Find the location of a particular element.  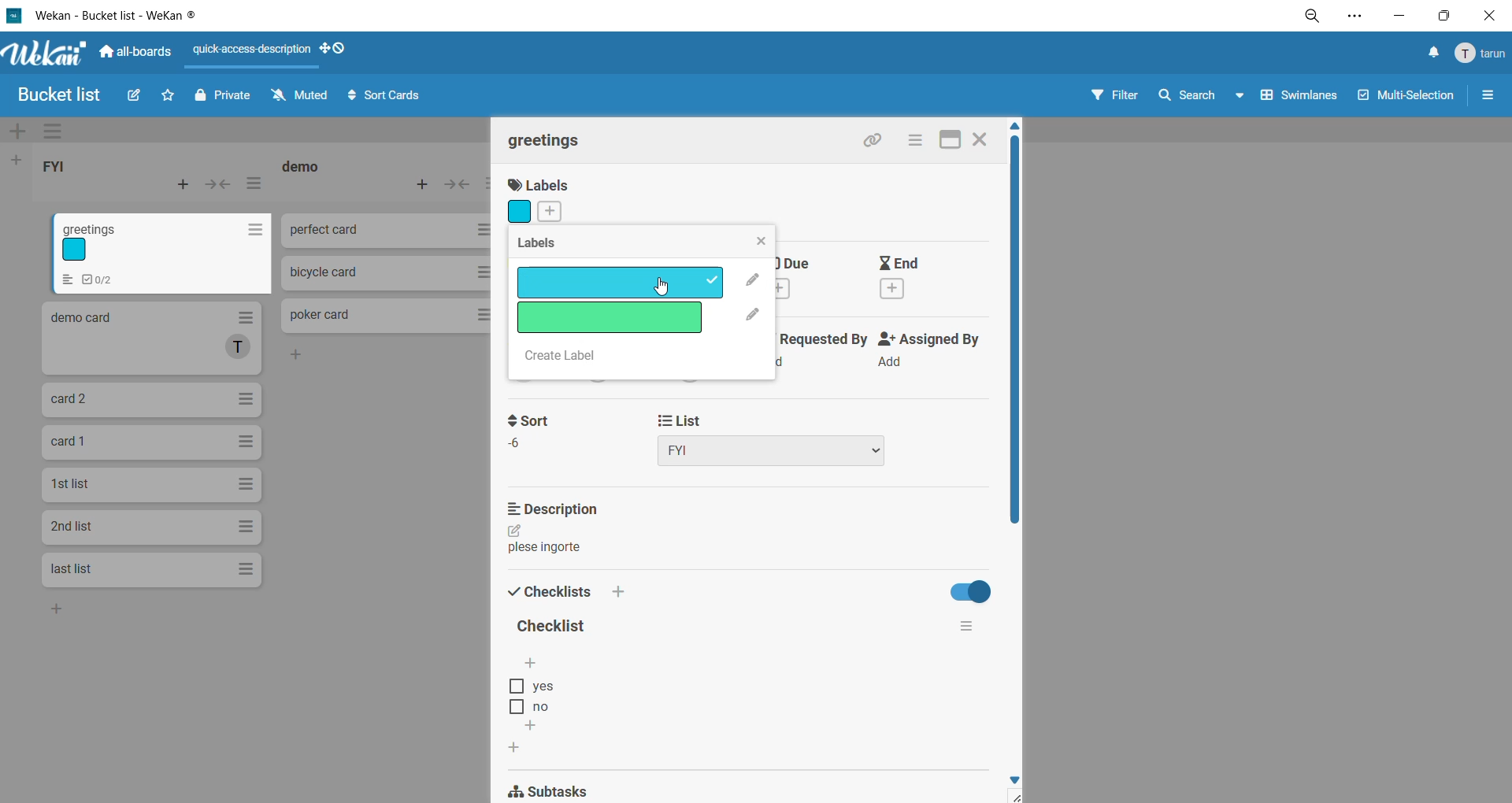

multiselection is located at coordinates (1406, 102).